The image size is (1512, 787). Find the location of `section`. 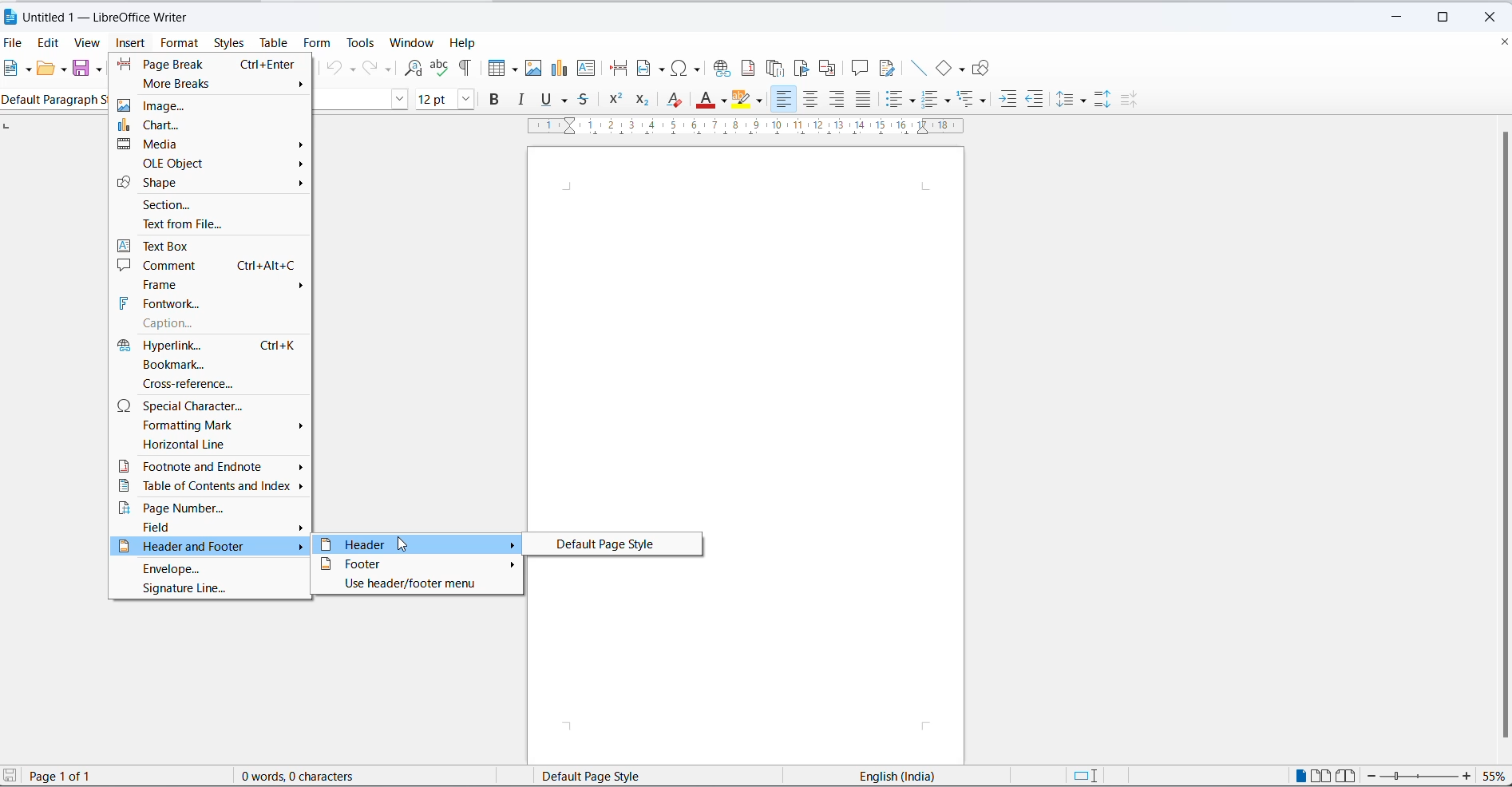

section is located at coordinates (213, 208).